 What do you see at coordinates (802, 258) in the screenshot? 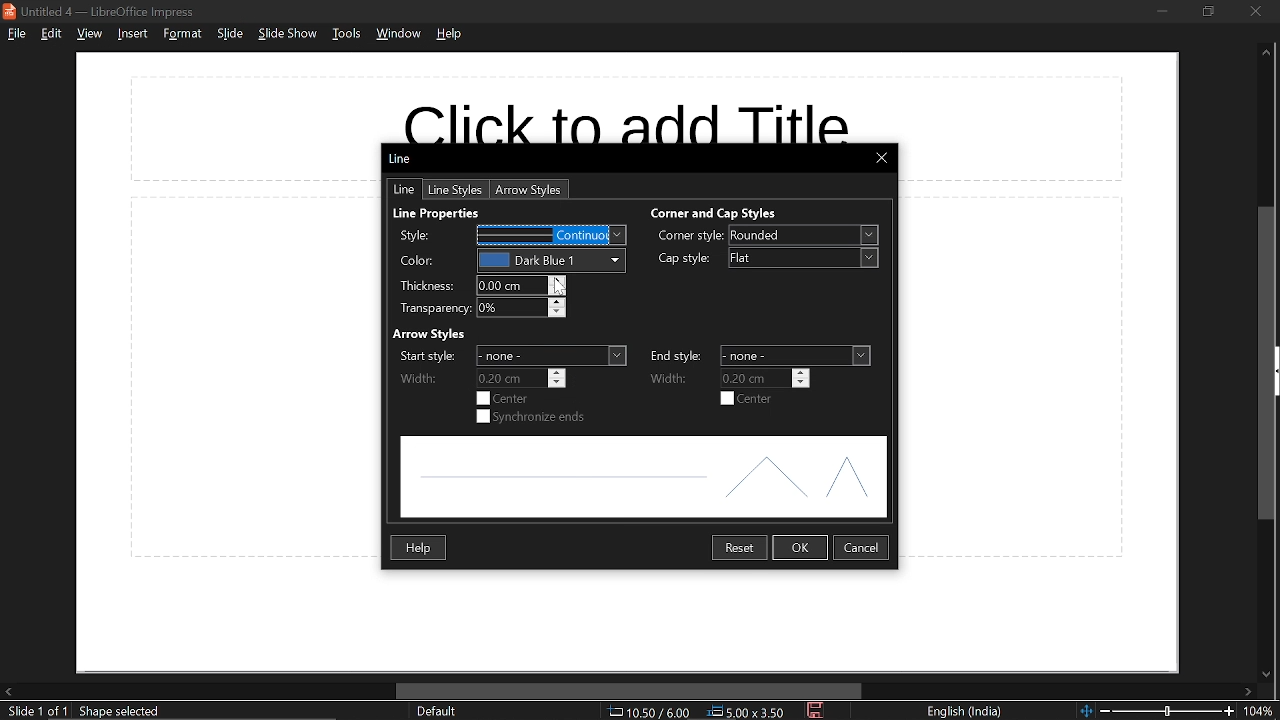
I see `cap style` at bounding box center [802, 258].